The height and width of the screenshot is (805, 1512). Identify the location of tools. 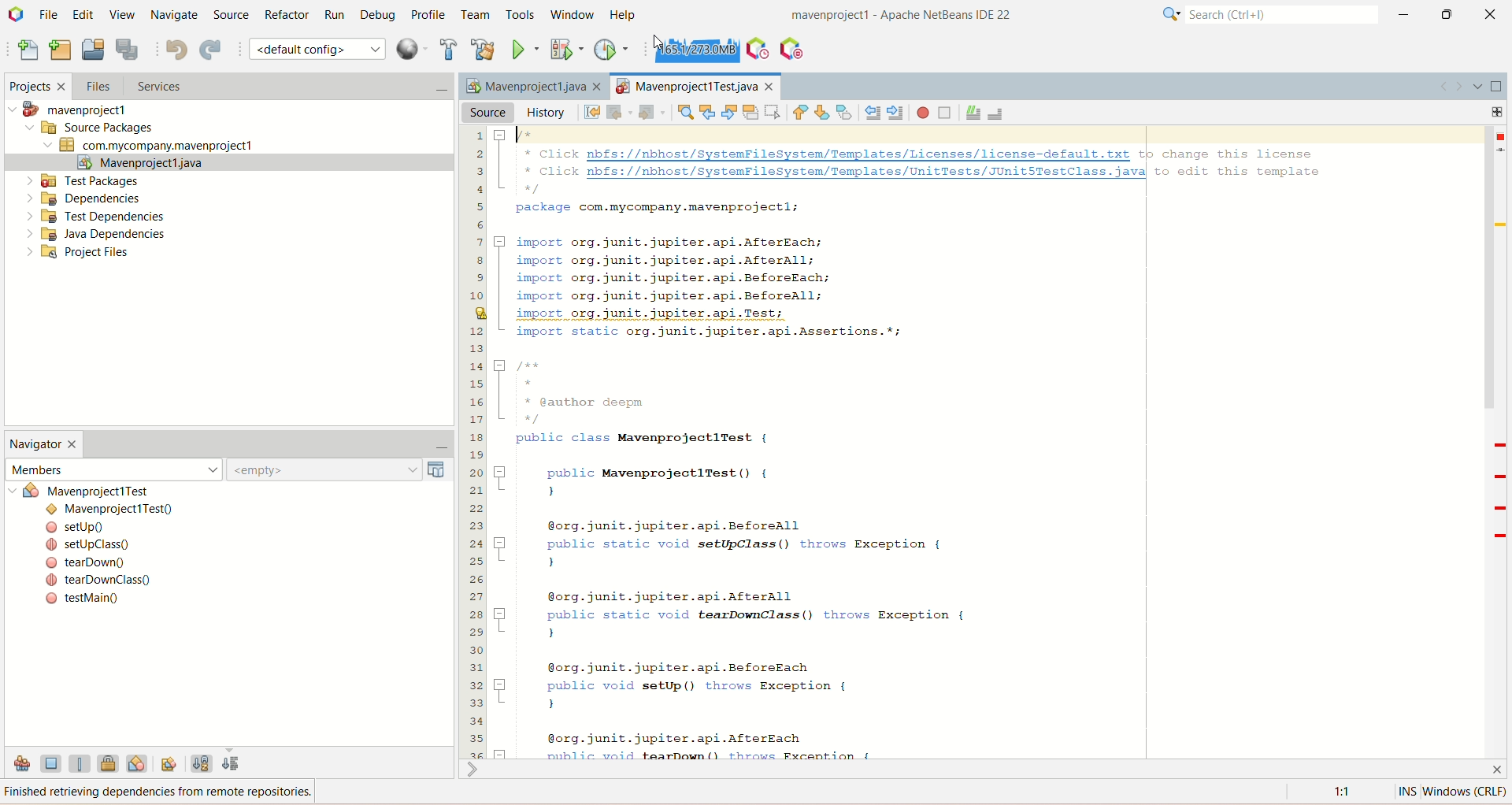
(521, 16).